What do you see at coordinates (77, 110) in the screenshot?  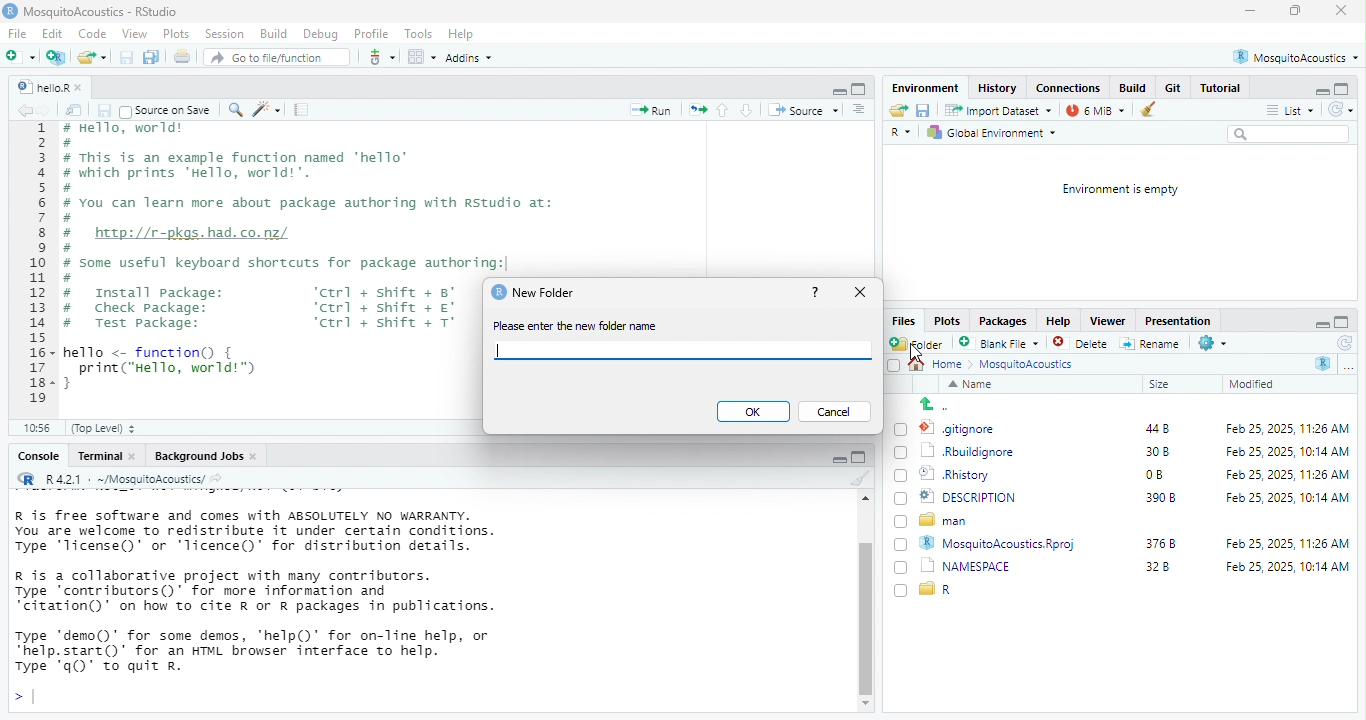 I see `show in new window` at bounding box center [77, 110].